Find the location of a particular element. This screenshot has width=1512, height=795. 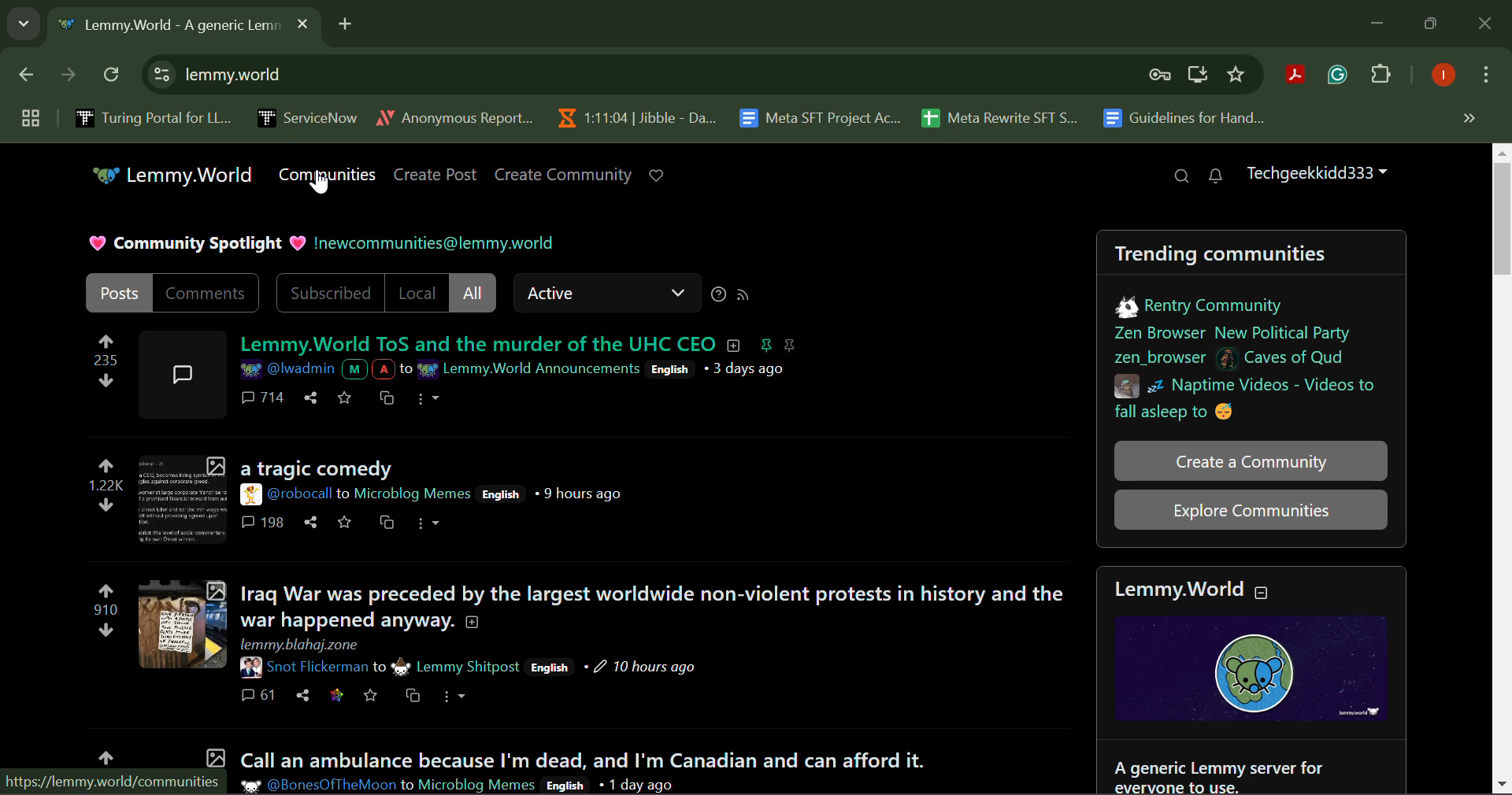

Post Icon is located at coordinates (180, 371).